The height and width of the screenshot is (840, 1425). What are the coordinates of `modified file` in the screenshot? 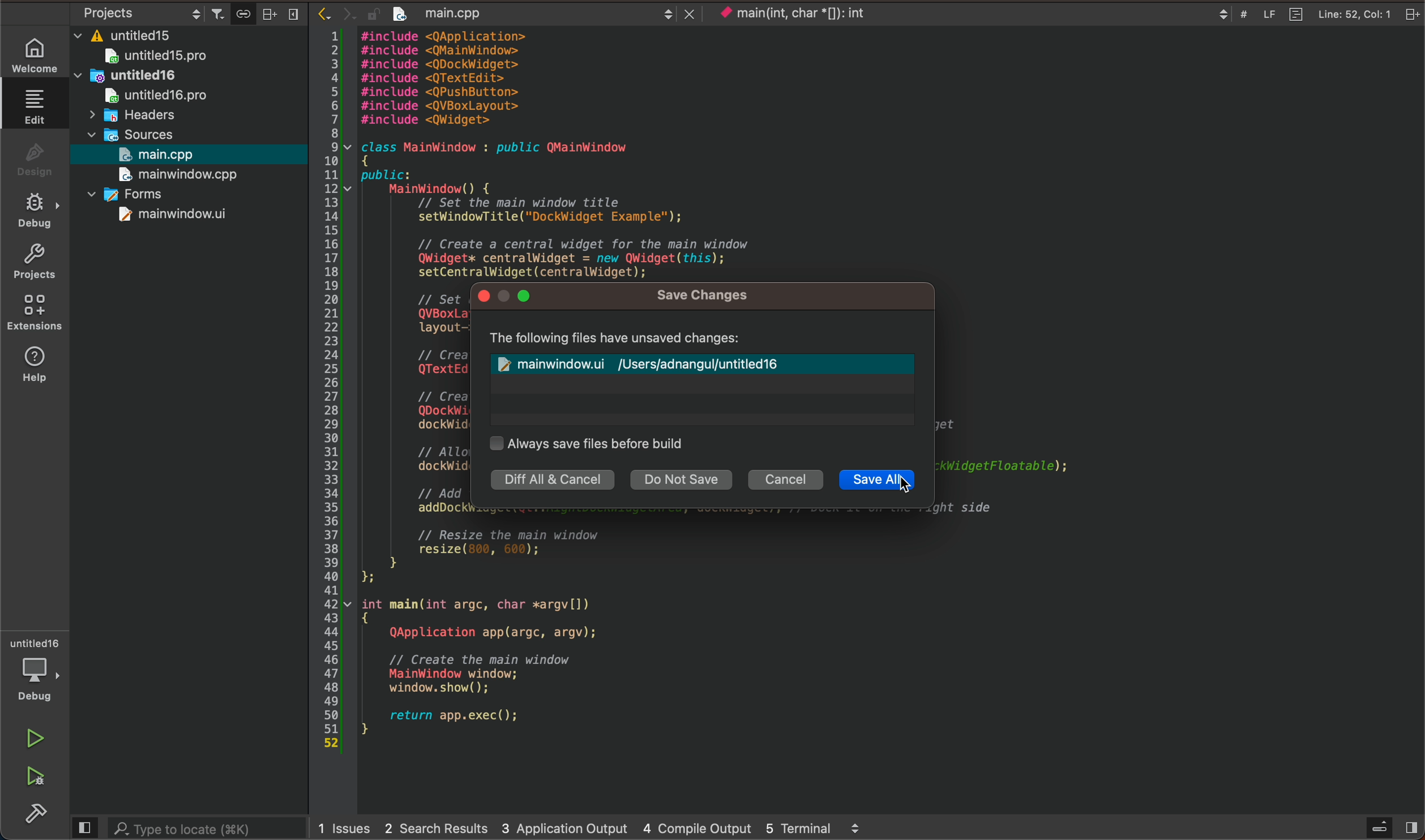 It's located at (704, 377).